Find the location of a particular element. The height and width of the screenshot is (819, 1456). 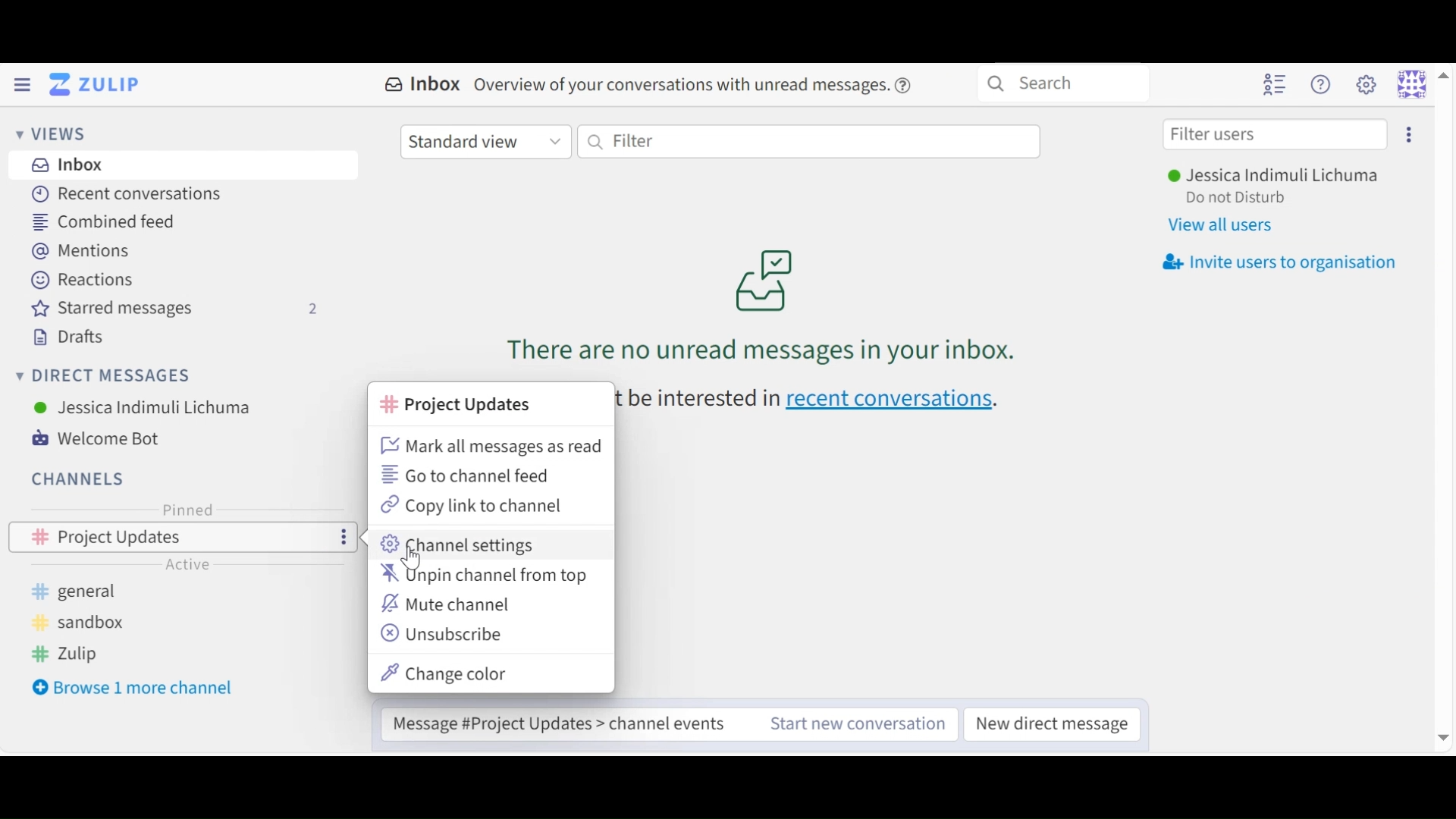

overview of conversations is located at coordinates (697, 85).